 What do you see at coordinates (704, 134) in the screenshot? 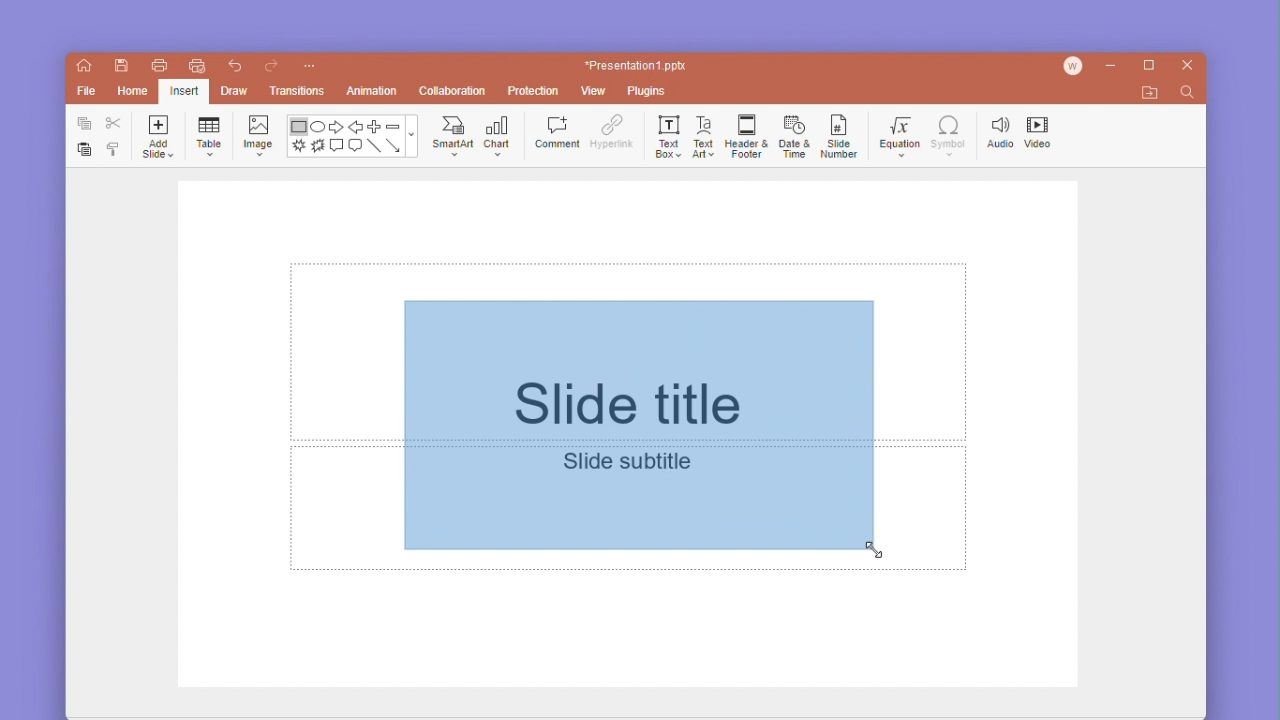
I see `text art` at bounding box center [704, 134].